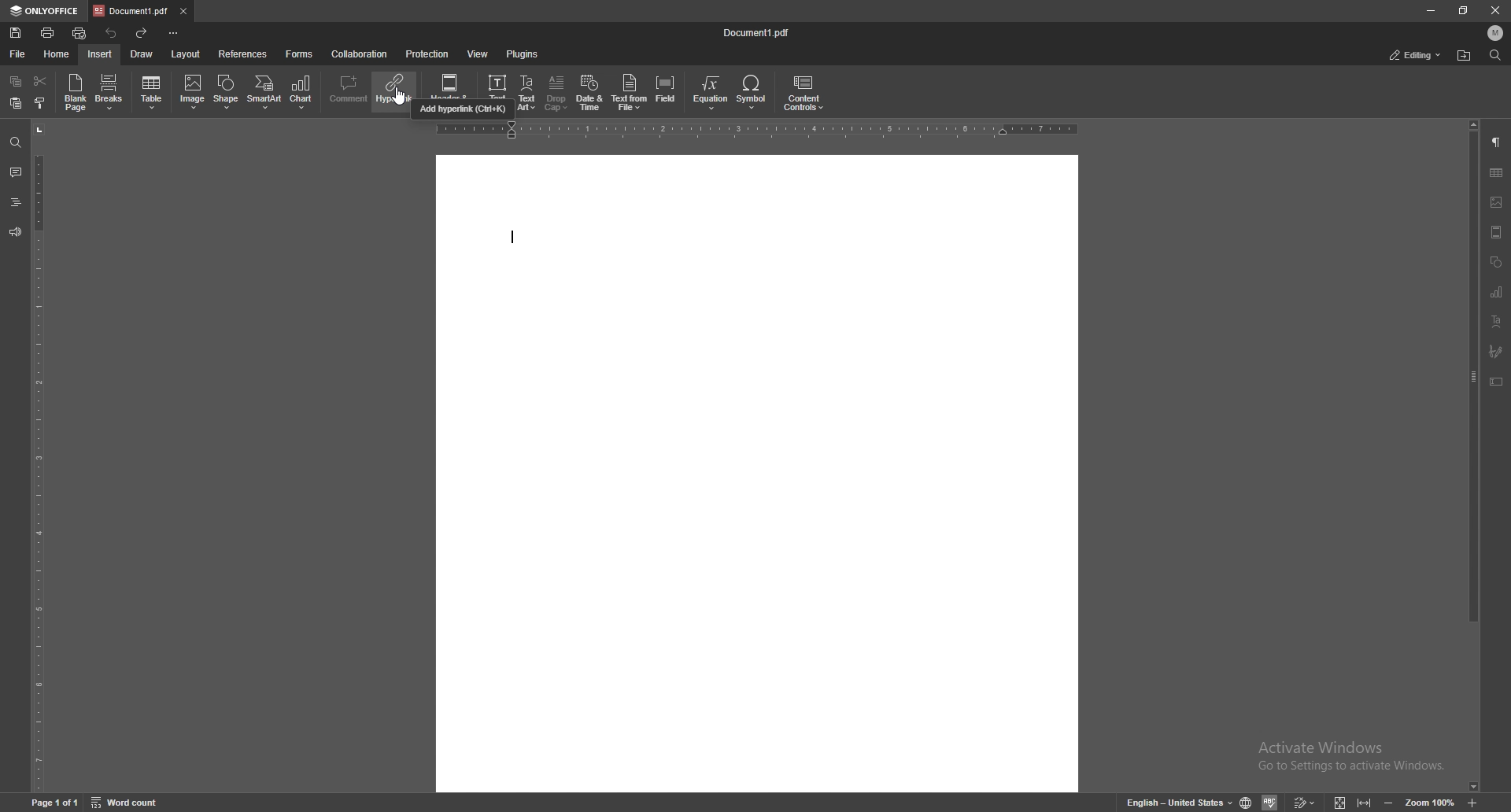 This screenshot has width=1511, height=812. Describe the element at coordinates (1497, 202) in the screenshot. I see `image` at that location.